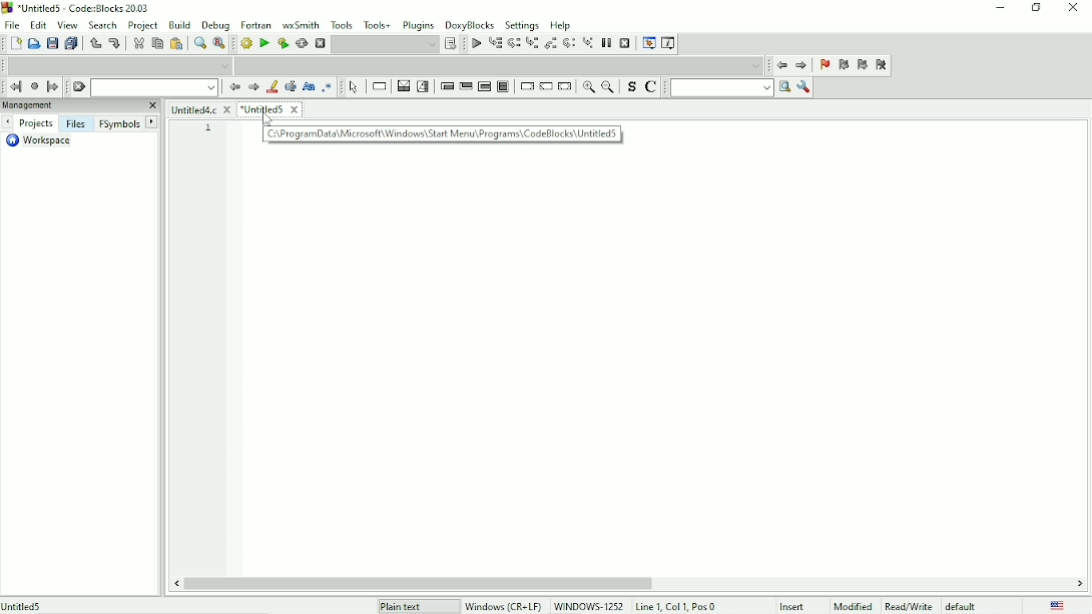 The height and width of the screenshot is (614, 1092). I want to click on C\ProgramDats\Microsoft\ Windows \ Start Menu\Programs\C odeBlocks\Untitled 5, so click(442, 134).